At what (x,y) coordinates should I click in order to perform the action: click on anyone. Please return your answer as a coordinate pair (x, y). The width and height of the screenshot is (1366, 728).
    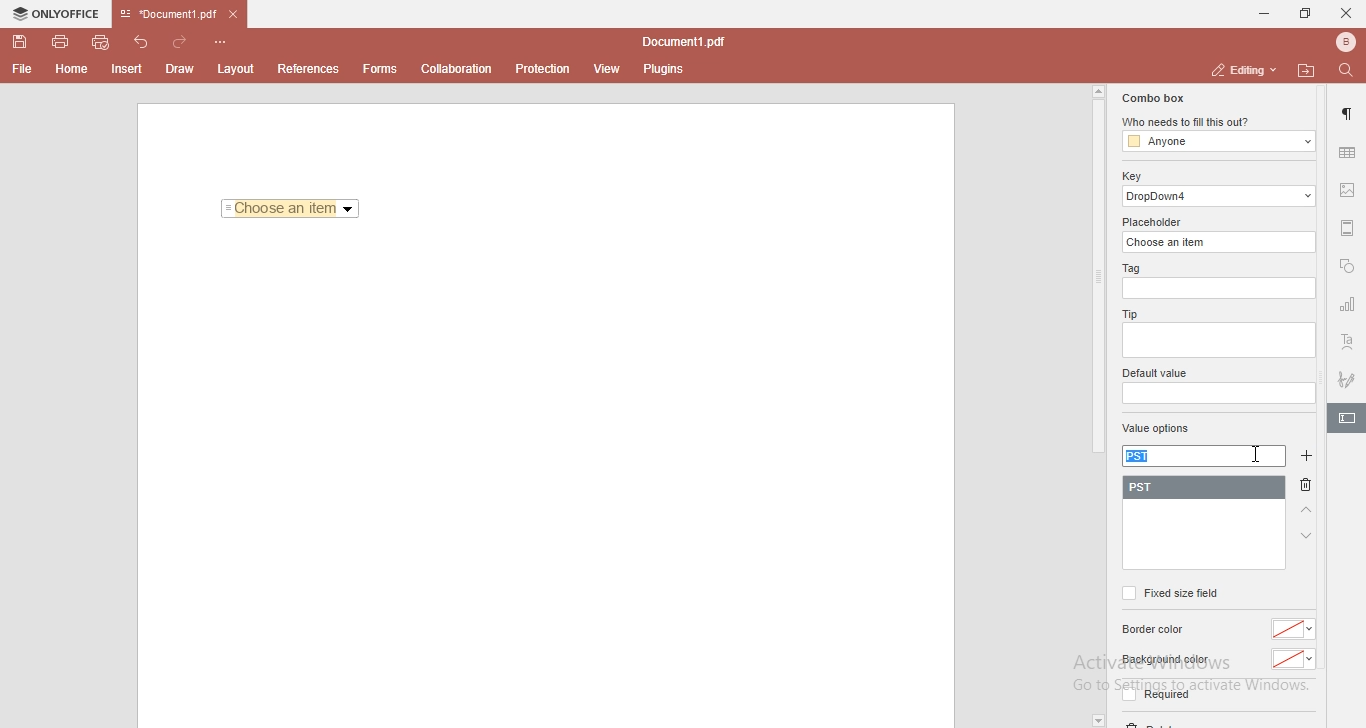
    Looking at the image, I should click on (1217, 142).